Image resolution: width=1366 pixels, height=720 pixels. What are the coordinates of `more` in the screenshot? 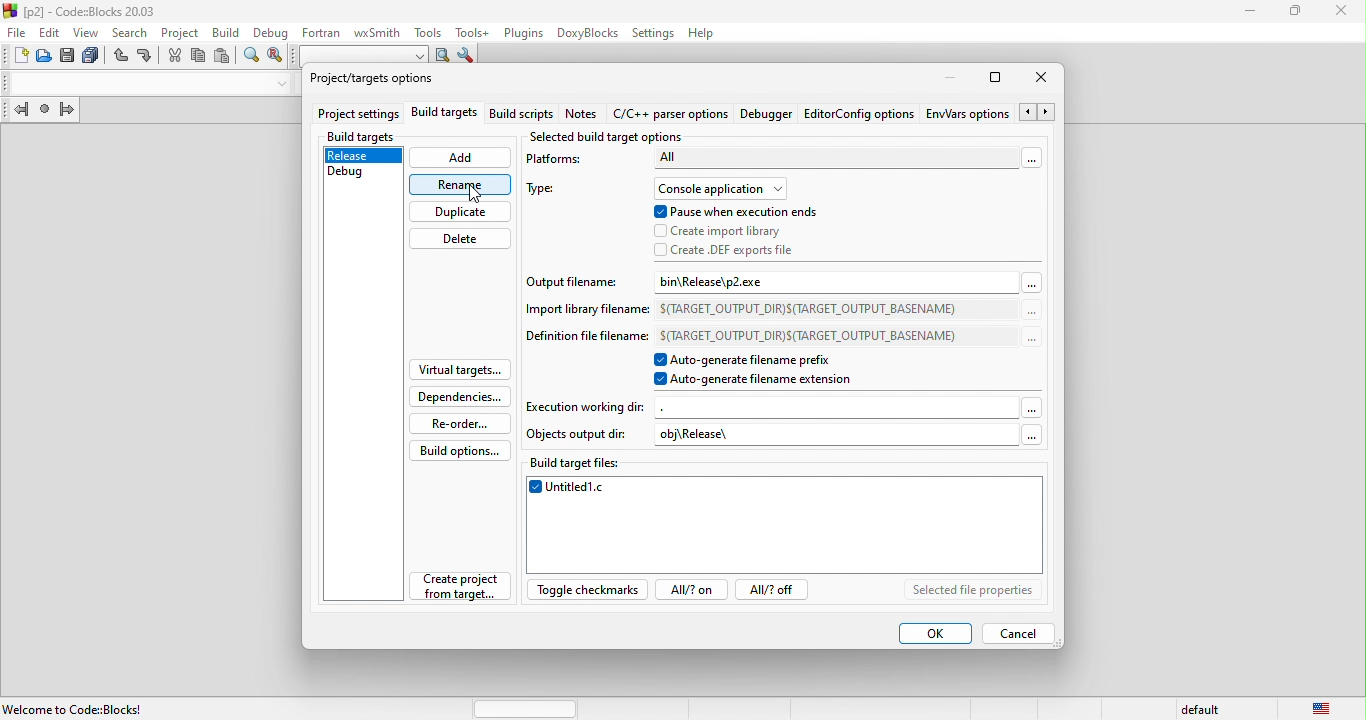 It's located at (1030, 338).